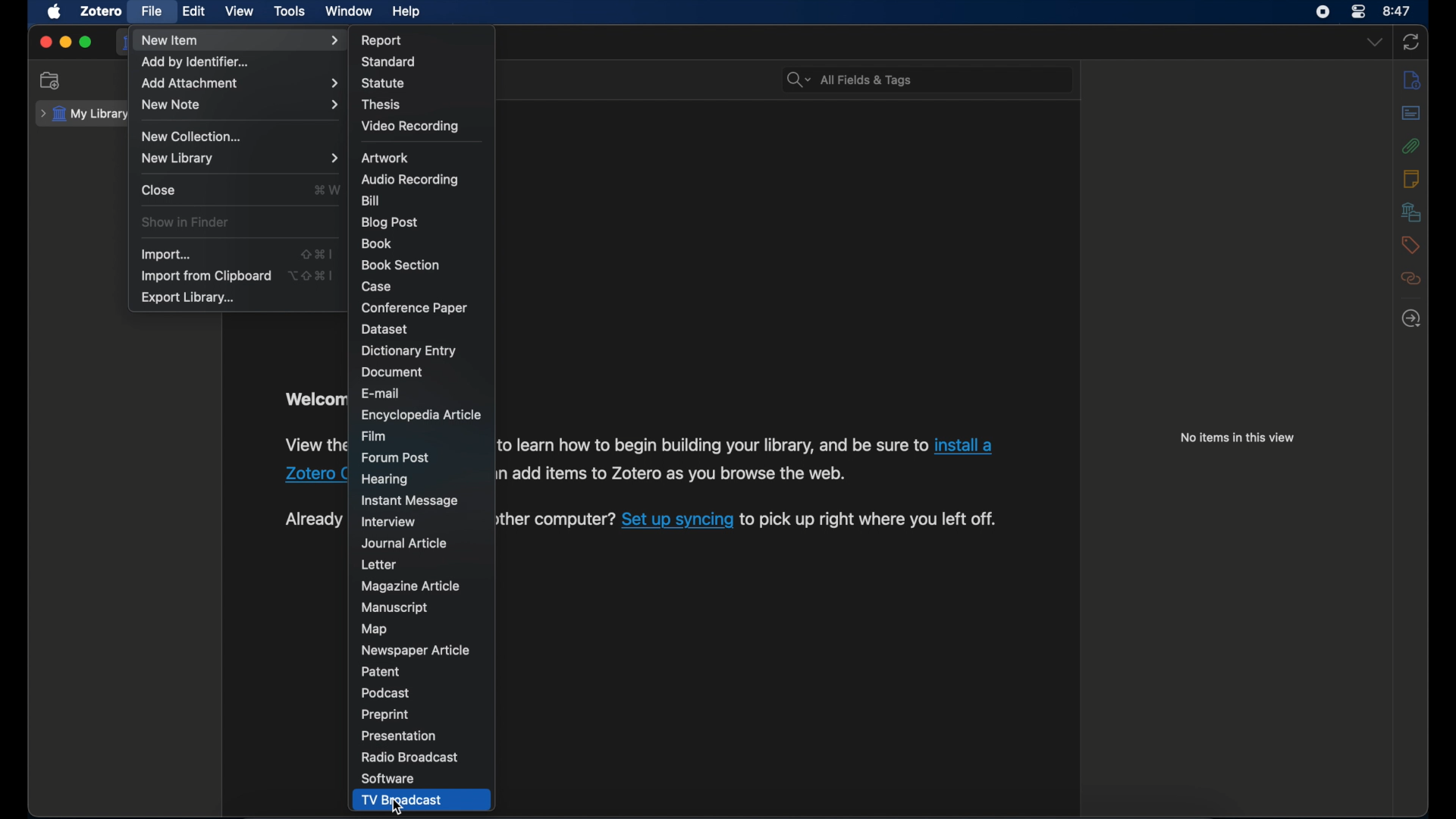 This screenshot has height=819, width=1456. I want to click on case, so click(379, 286).